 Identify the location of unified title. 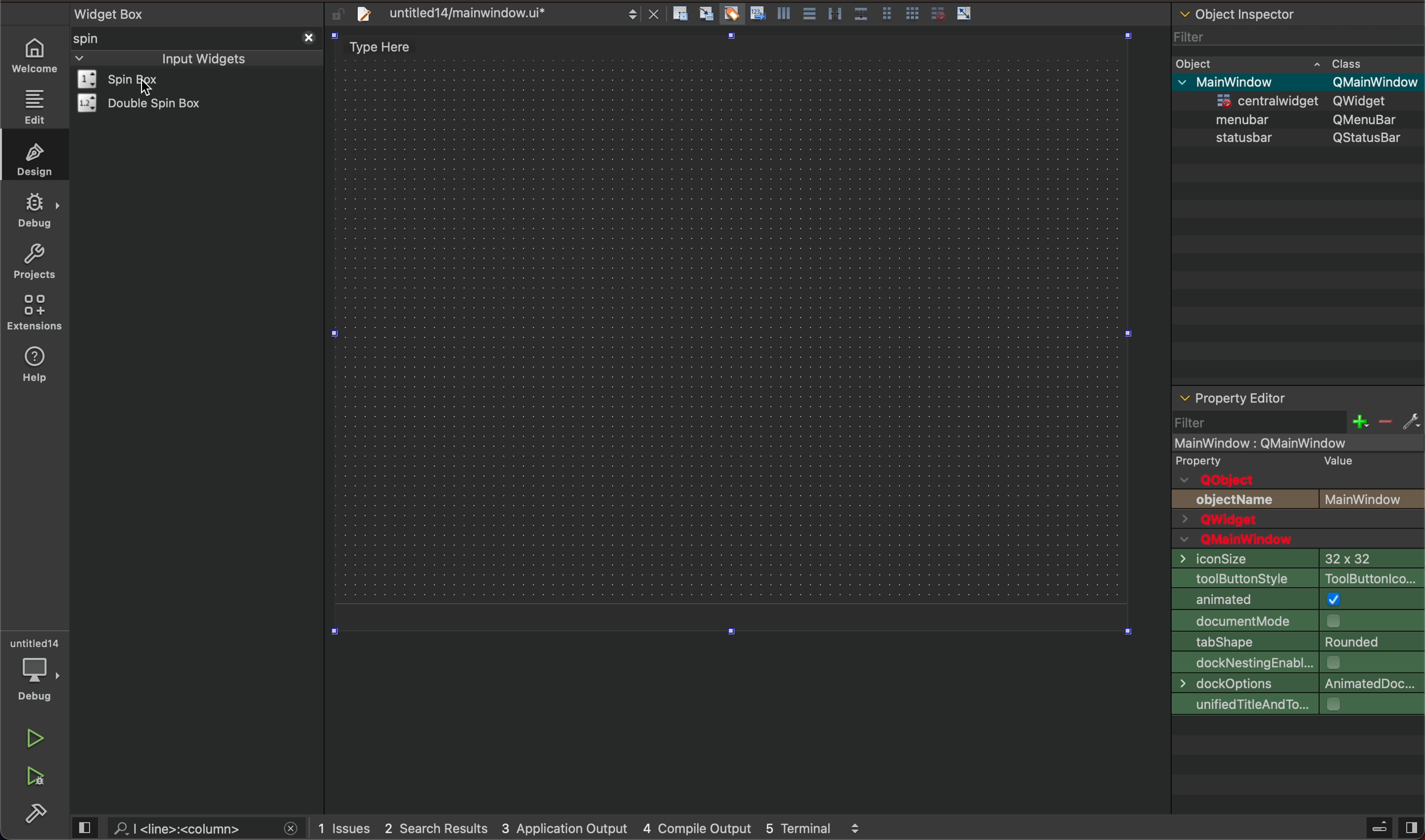
(1298, 705).